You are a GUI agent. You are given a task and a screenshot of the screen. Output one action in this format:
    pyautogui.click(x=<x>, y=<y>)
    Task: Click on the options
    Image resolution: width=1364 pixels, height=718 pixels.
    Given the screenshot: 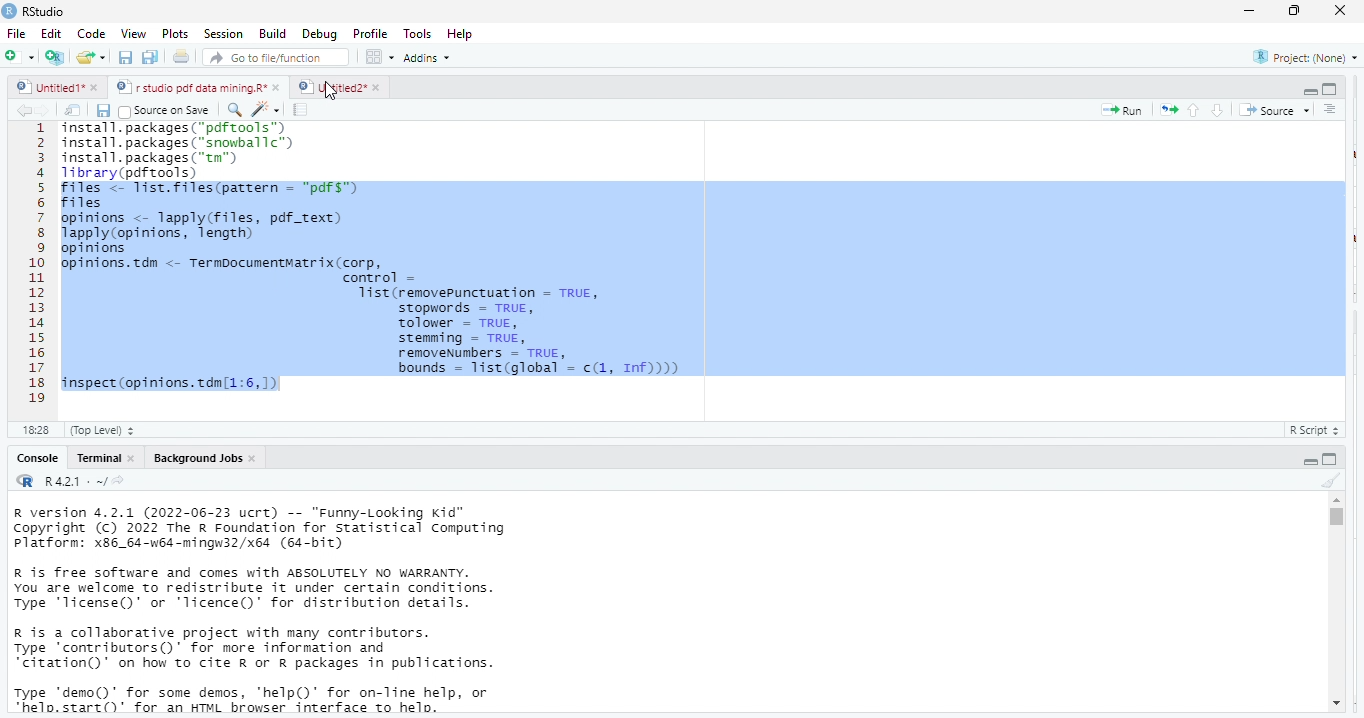 What is the action you would take?
    pyautogui.click(x=381, y=56)
    